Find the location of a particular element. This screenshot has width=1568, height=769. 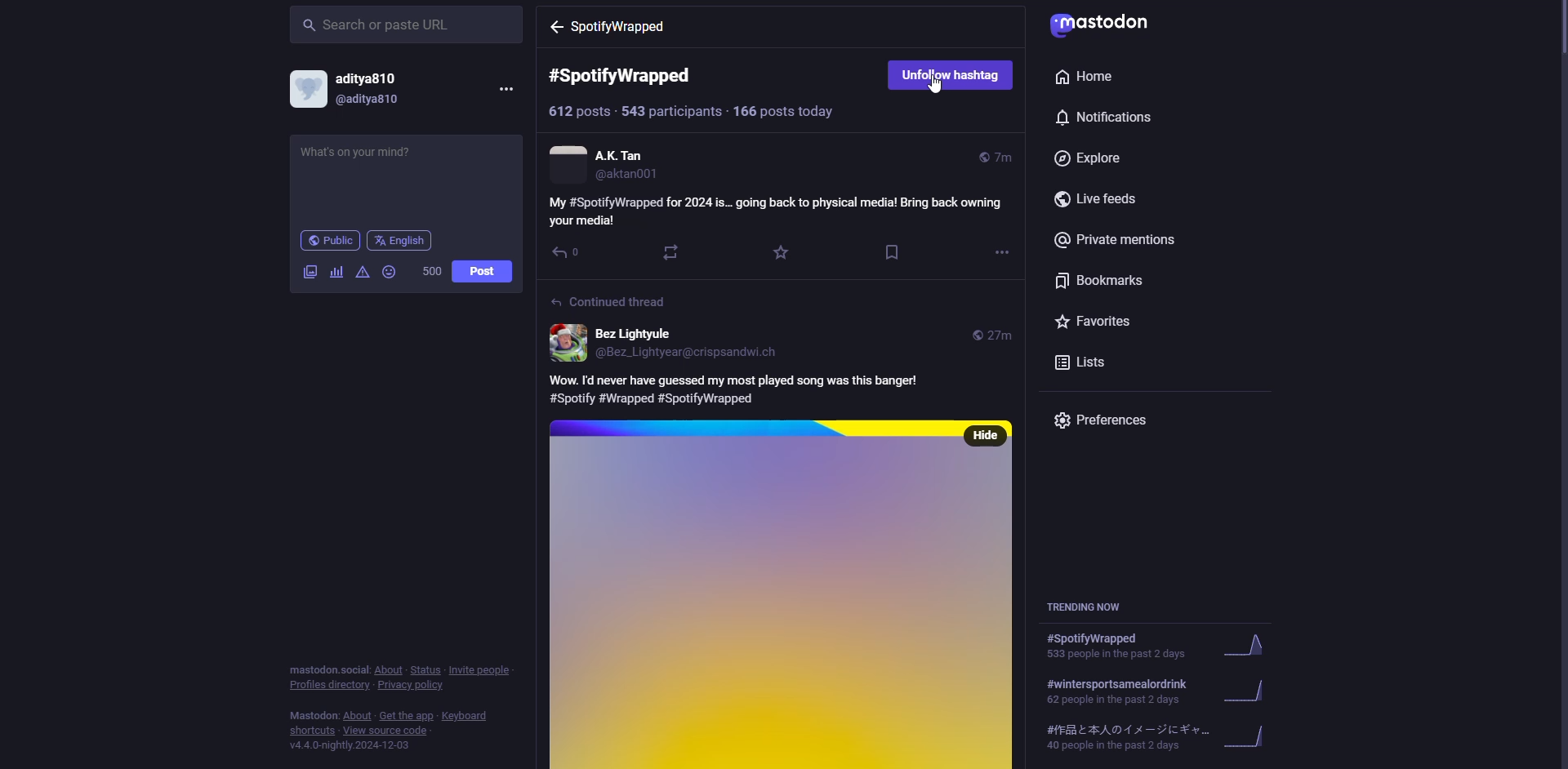

reply is located at coordinates (568, 253).